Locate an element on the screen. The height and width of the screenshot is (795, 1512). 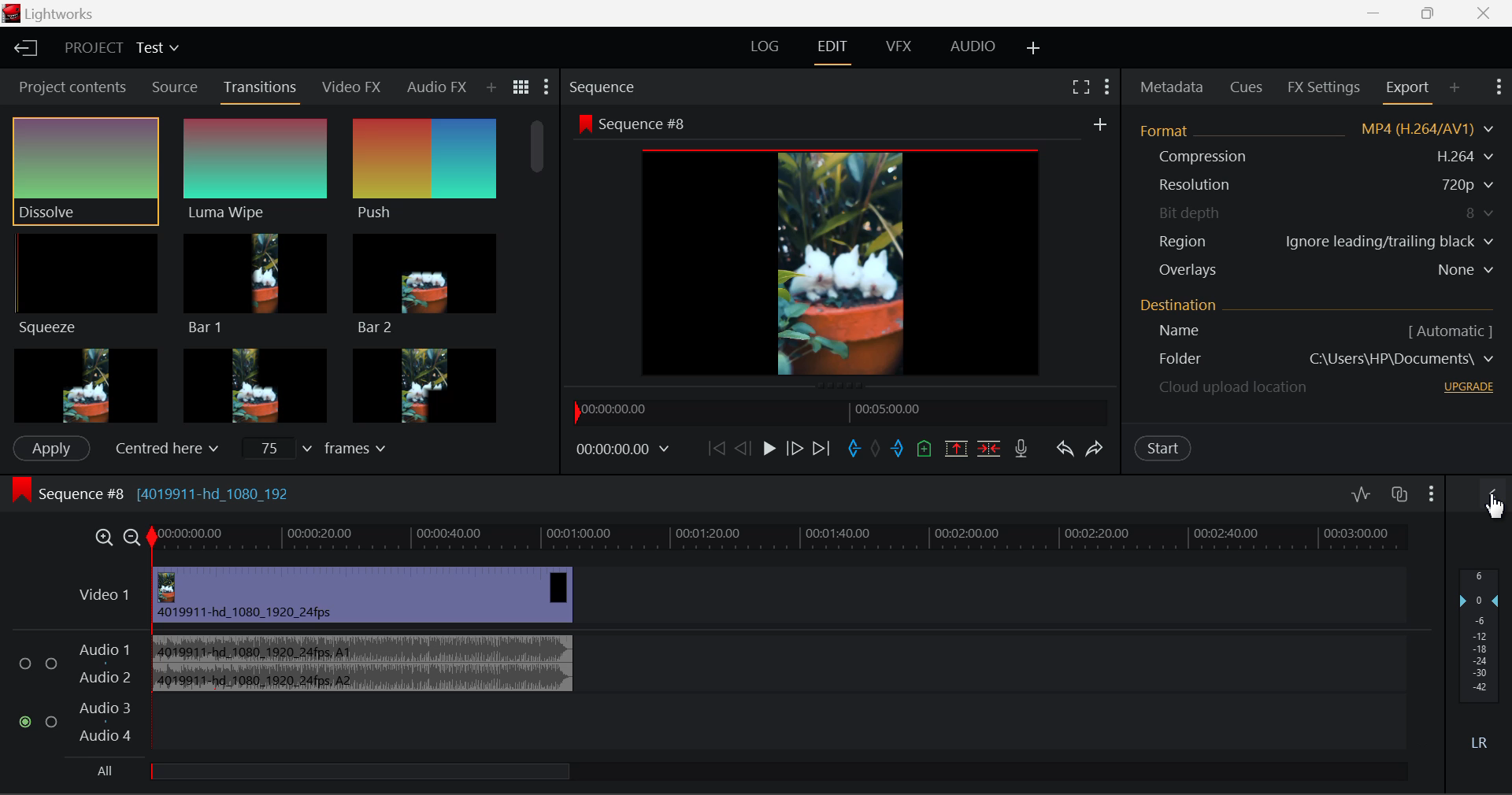
Project Timeline Navigator is located at coordinates (841, 412).